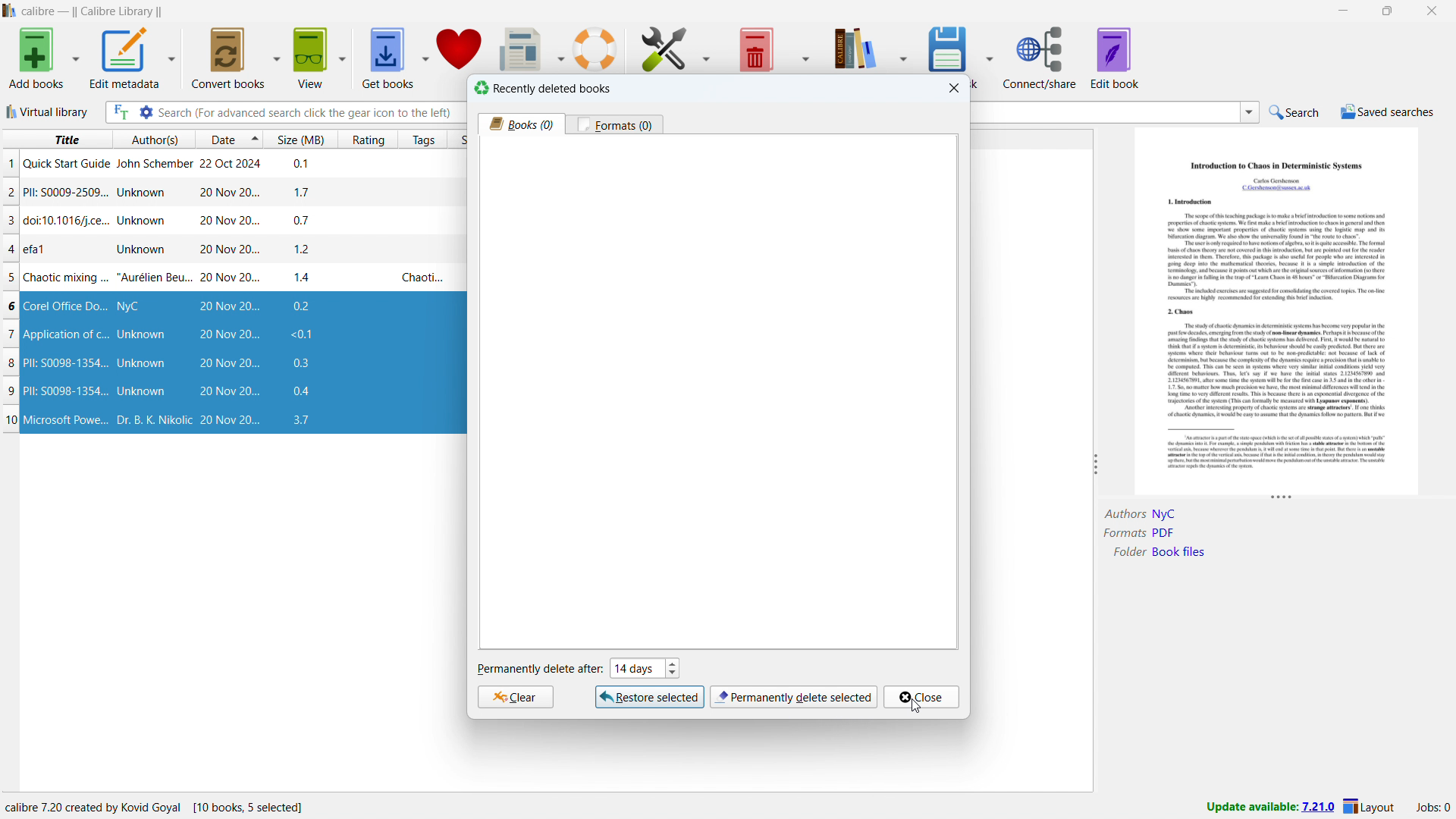 The width and height of the screenshot is (1456, 819). Describe the element at coordinates (226, 165) in the screenshot. I see `single book entry` at that location.